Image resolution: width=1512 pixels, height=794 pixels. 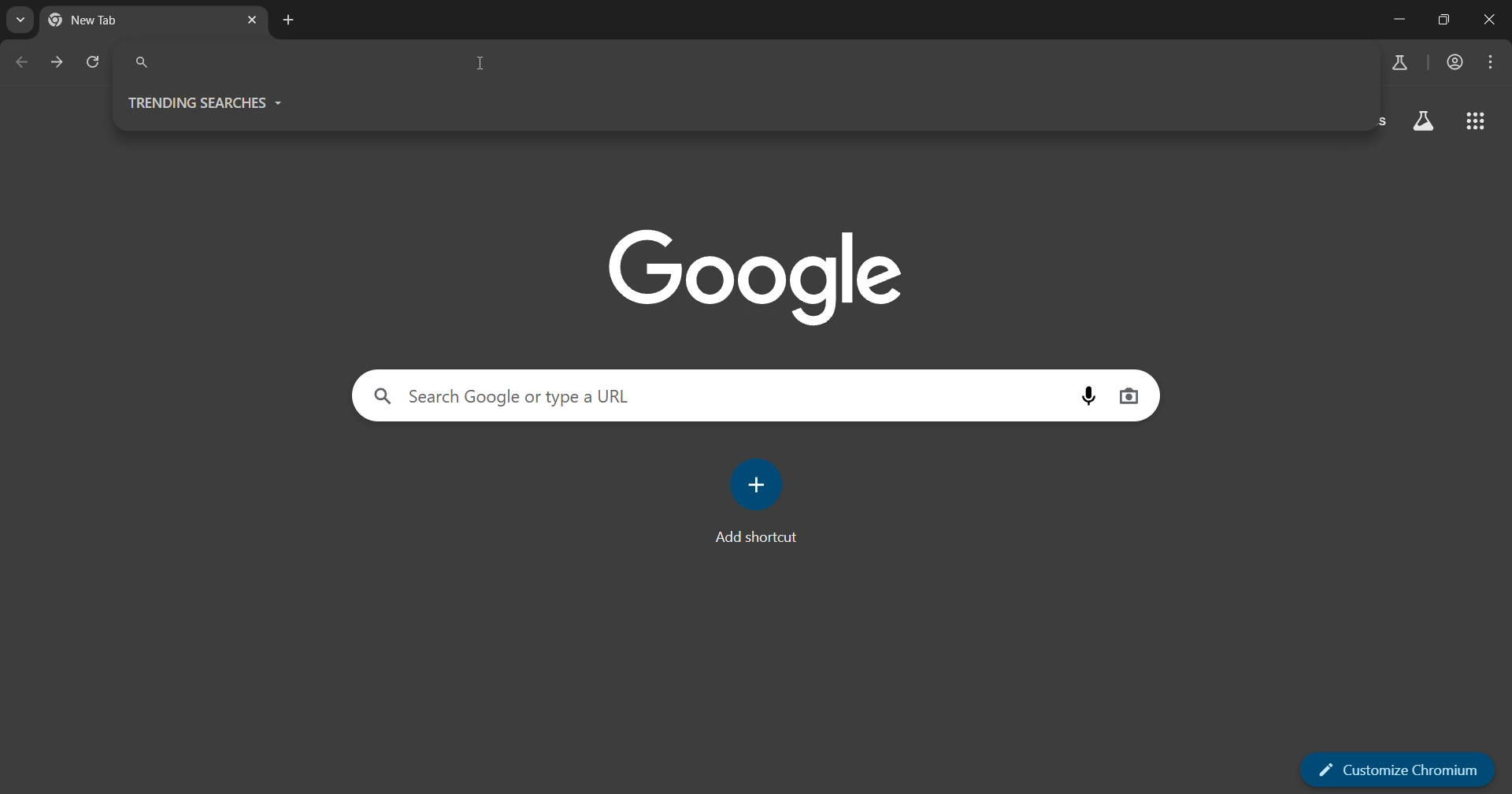 I want to click on account, so click(x=1454, y=63).